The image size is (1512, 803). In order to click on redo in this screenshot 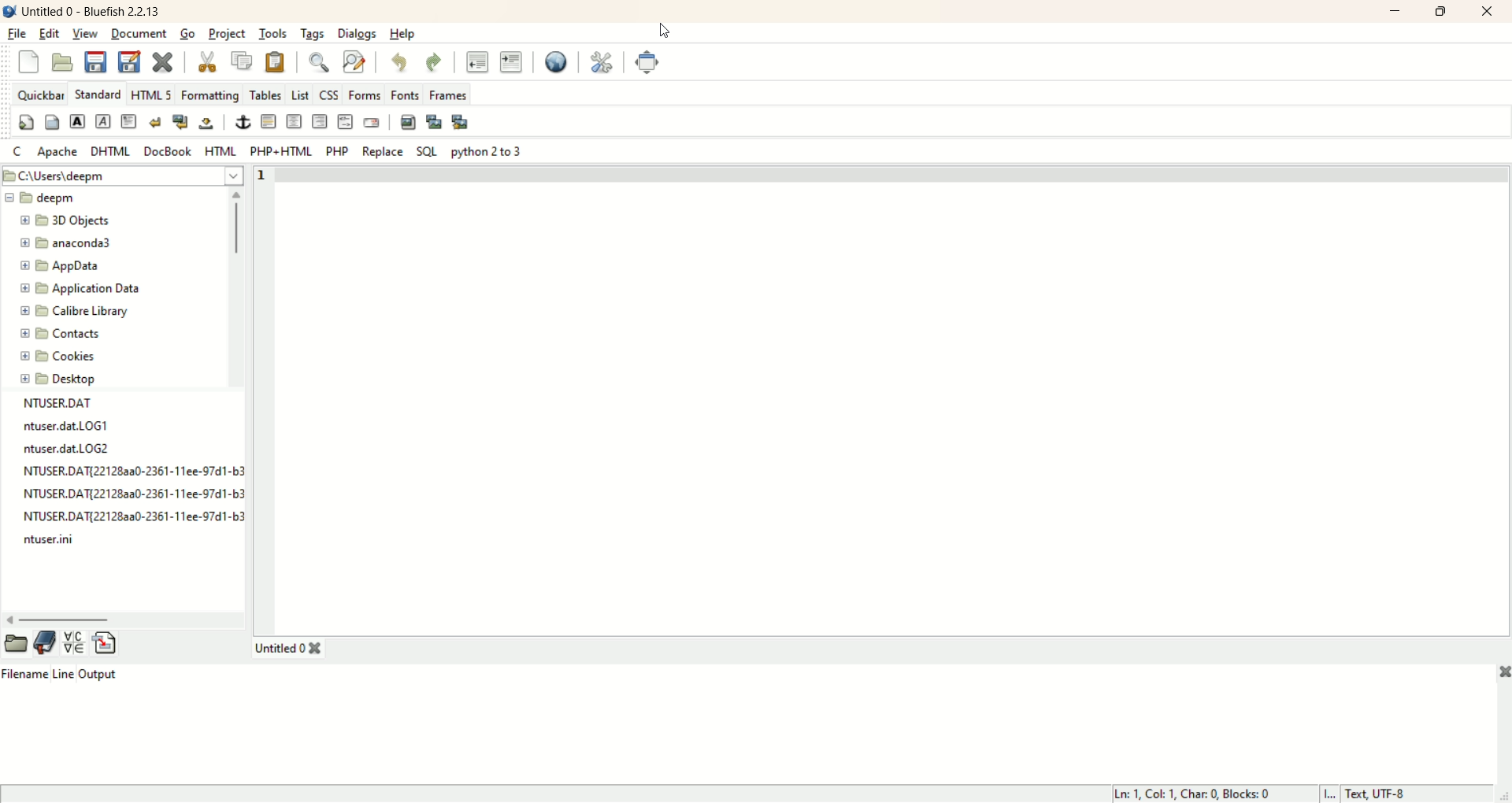, I will do `click(432, 62)`.